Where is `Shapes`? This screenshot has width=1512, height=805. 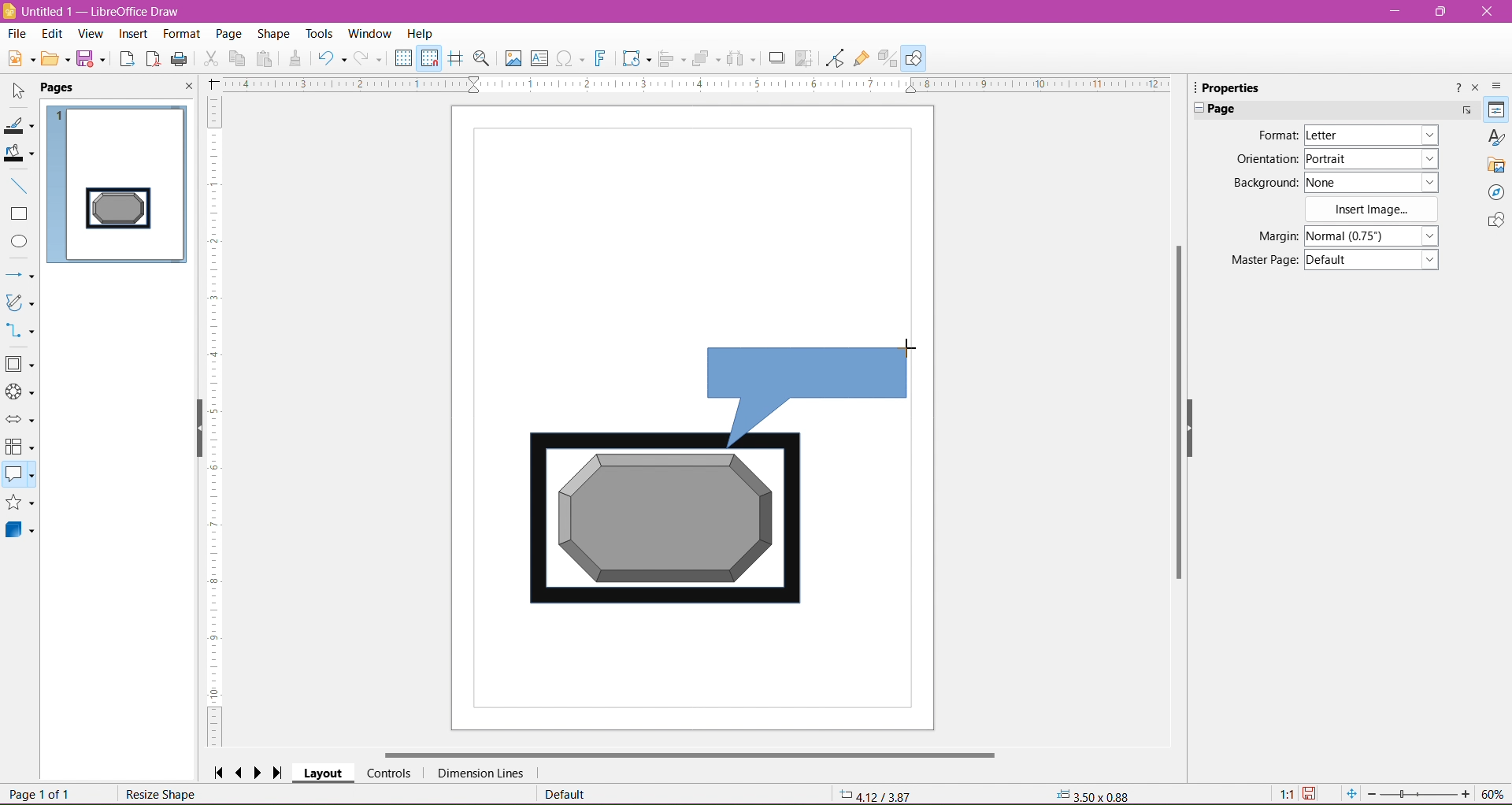
Shapes is located at coordinates (1494, 222).